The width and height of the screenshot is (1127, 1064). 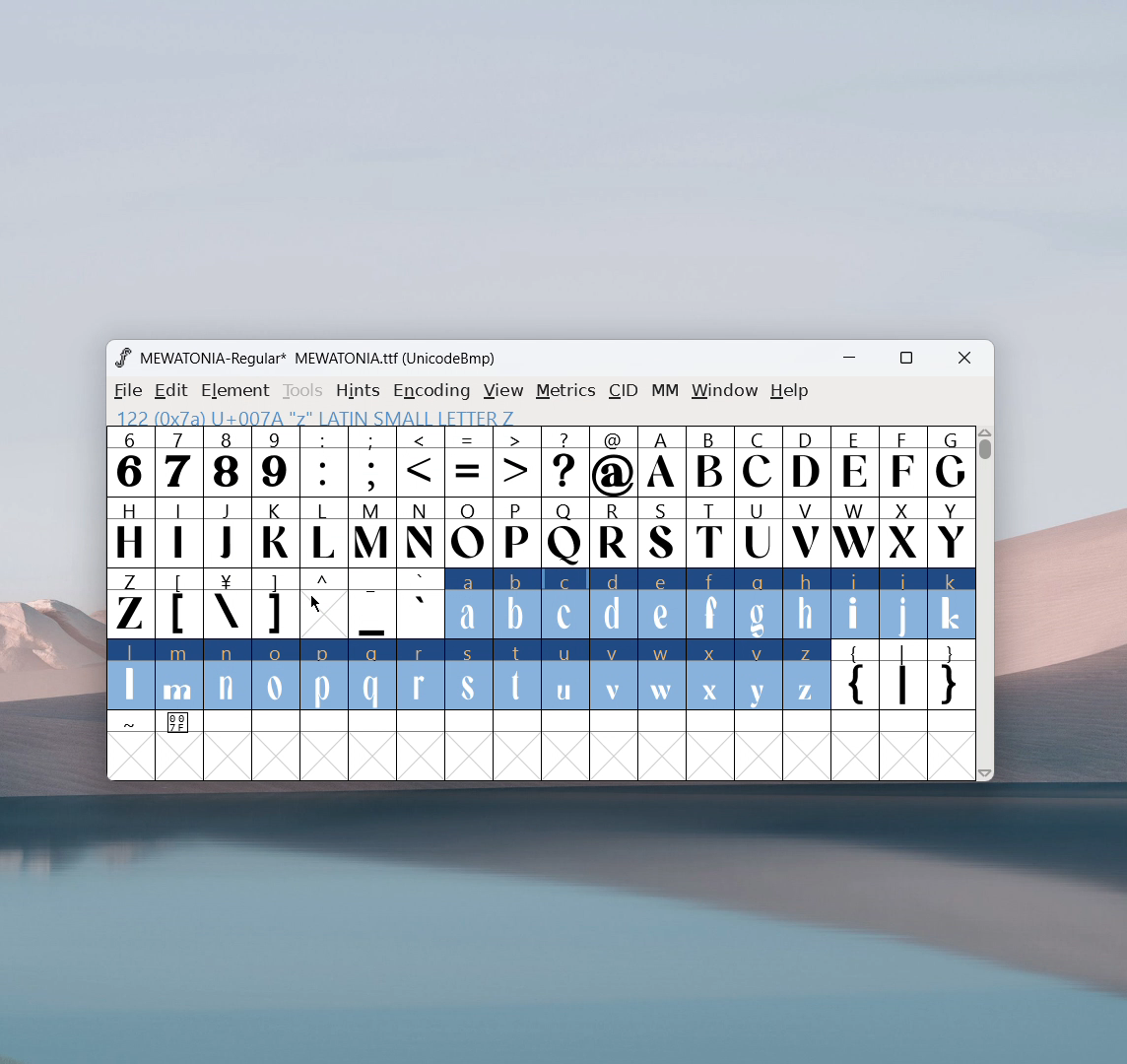 What do you see at coordinates (564, 675) in the screenshot?
I see `u` at bounding box center [564, 675].